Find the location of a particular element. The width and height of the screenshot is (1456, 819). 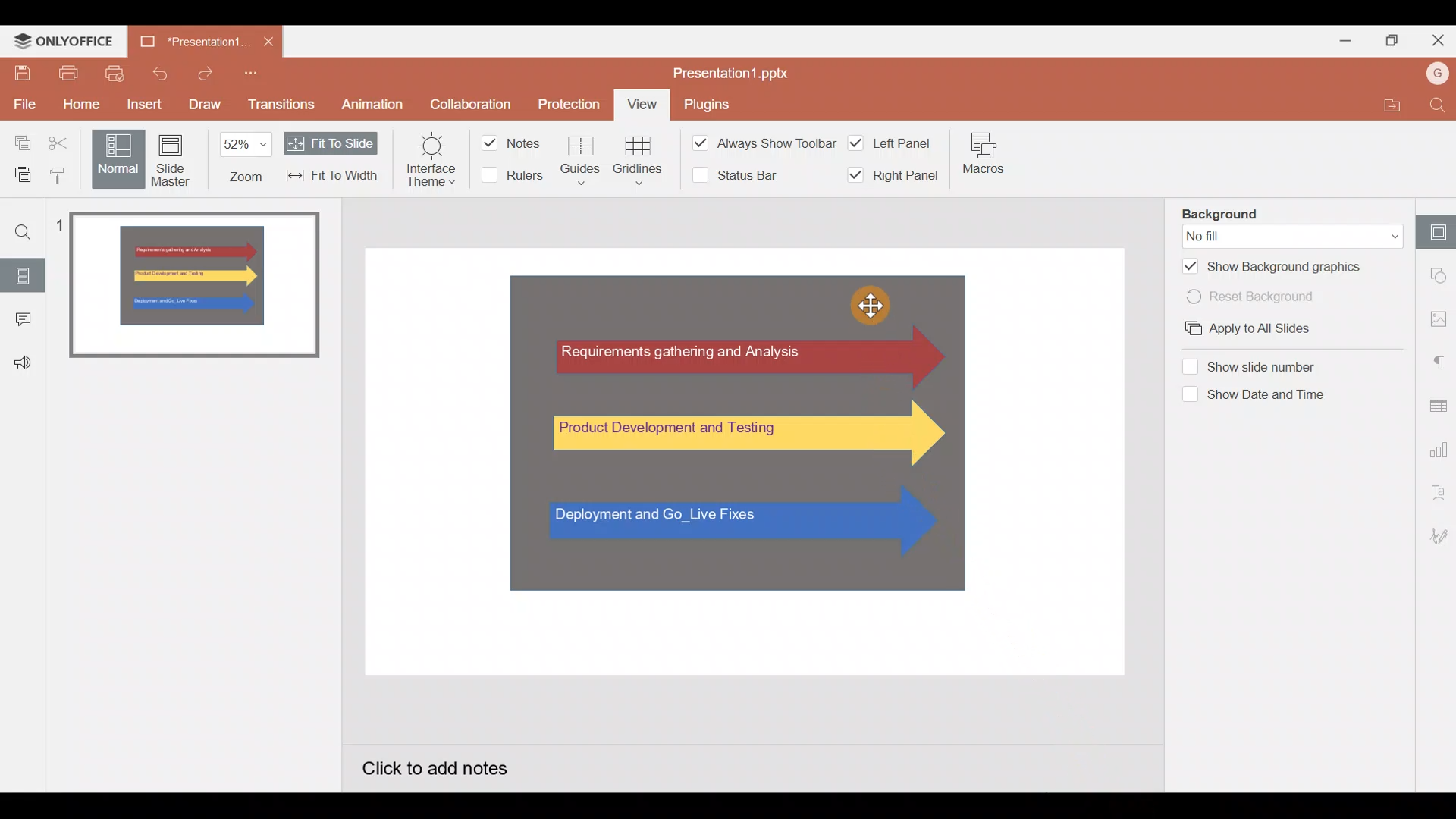

Reset background is located at coordinates (1269, 296).